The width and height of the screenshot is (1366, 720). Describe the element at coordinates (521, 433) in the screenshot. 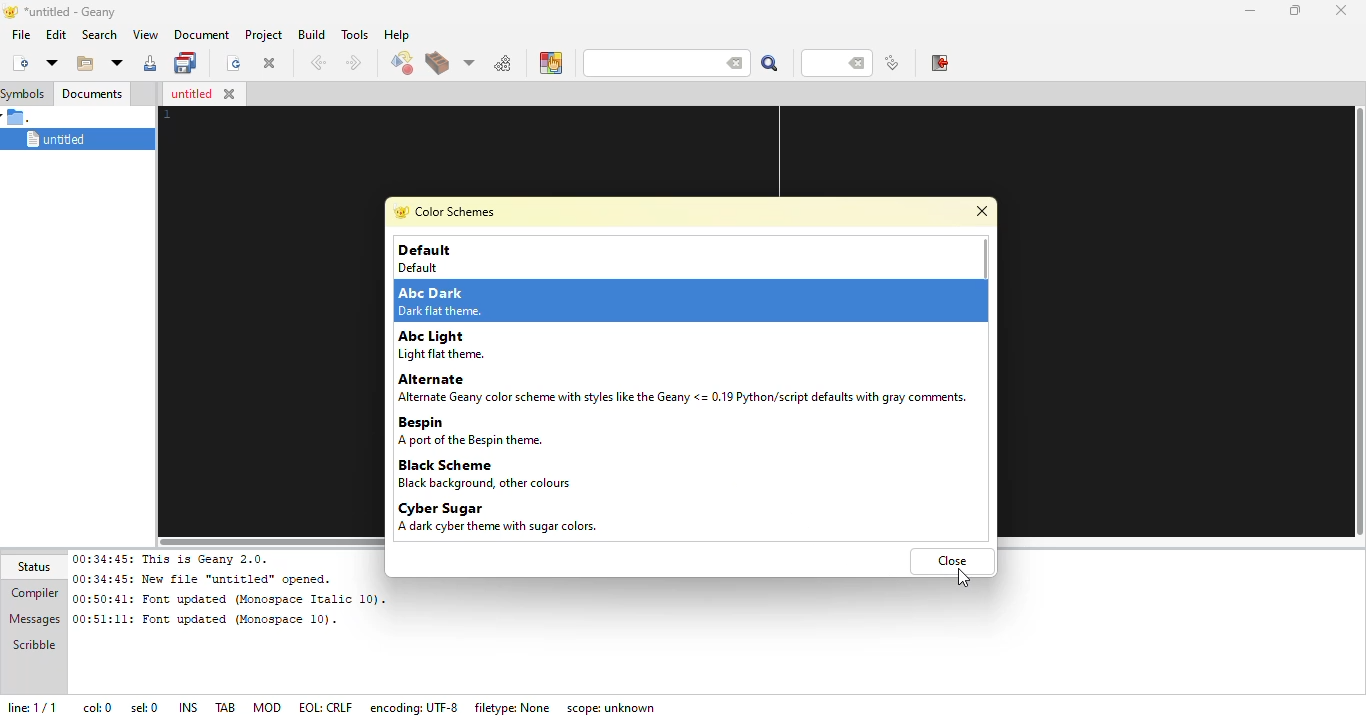

I see `Bespin A port of the Bespin theme` at that location.